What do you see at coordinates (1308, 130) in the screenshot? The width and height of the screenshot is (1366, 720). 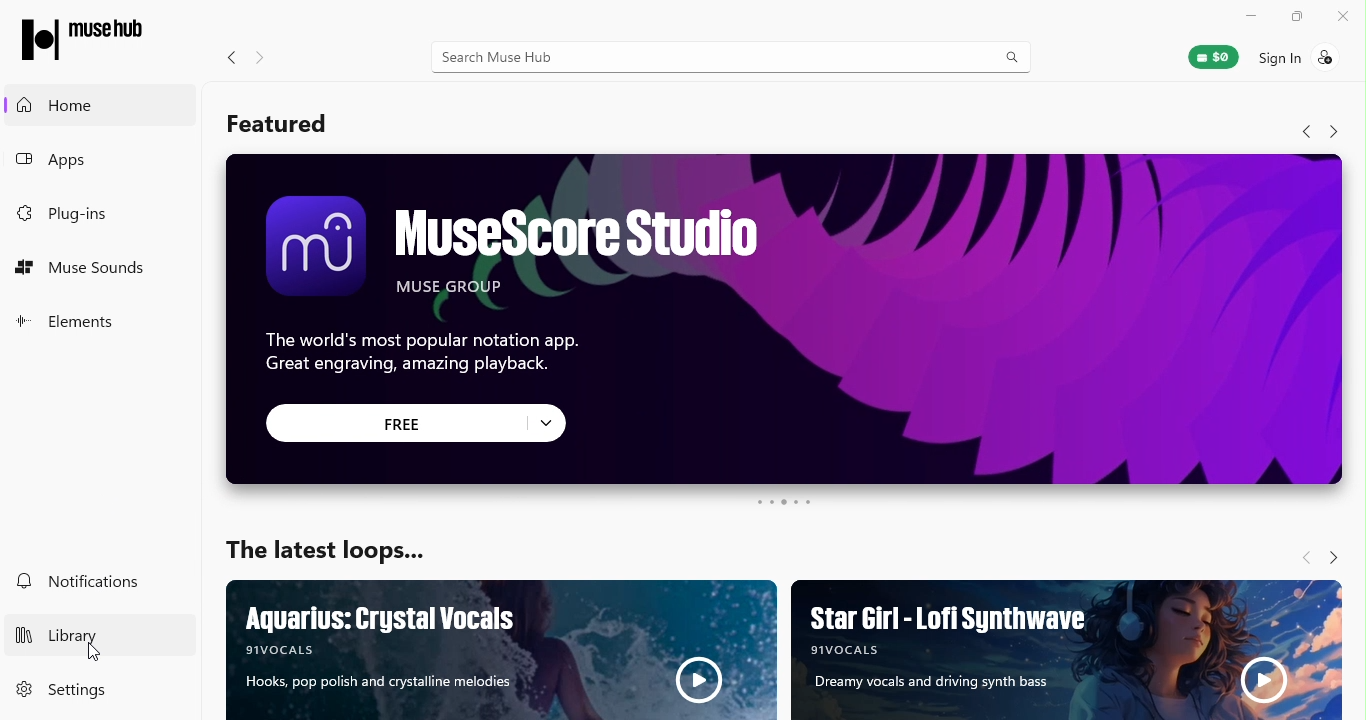 I see `Navigate back` at bounding box center [1308, 130].